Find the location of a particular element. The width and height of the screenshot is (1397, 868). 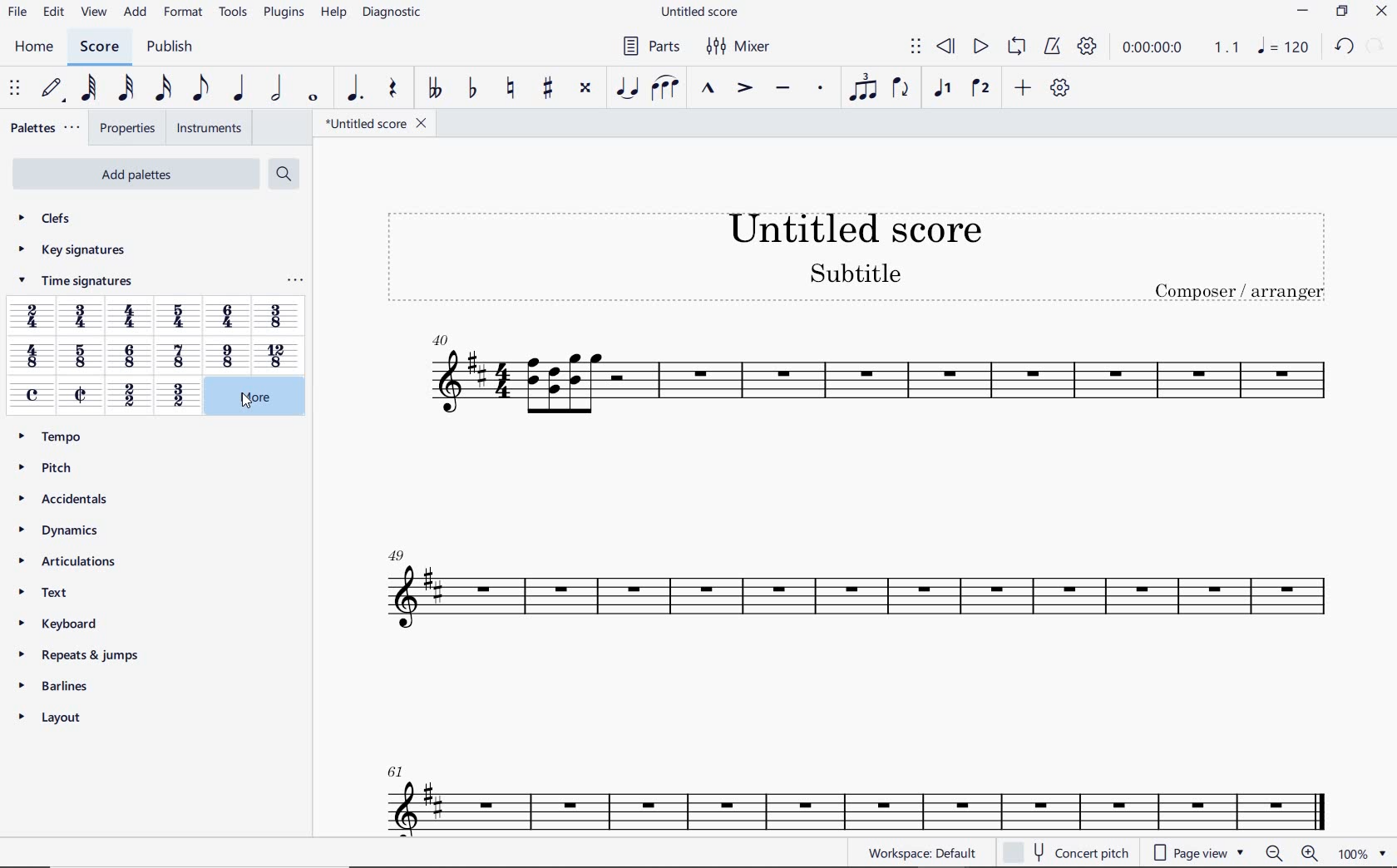

CUSTOMIZE TOOLBAR is located at coordinates (1058, 87).